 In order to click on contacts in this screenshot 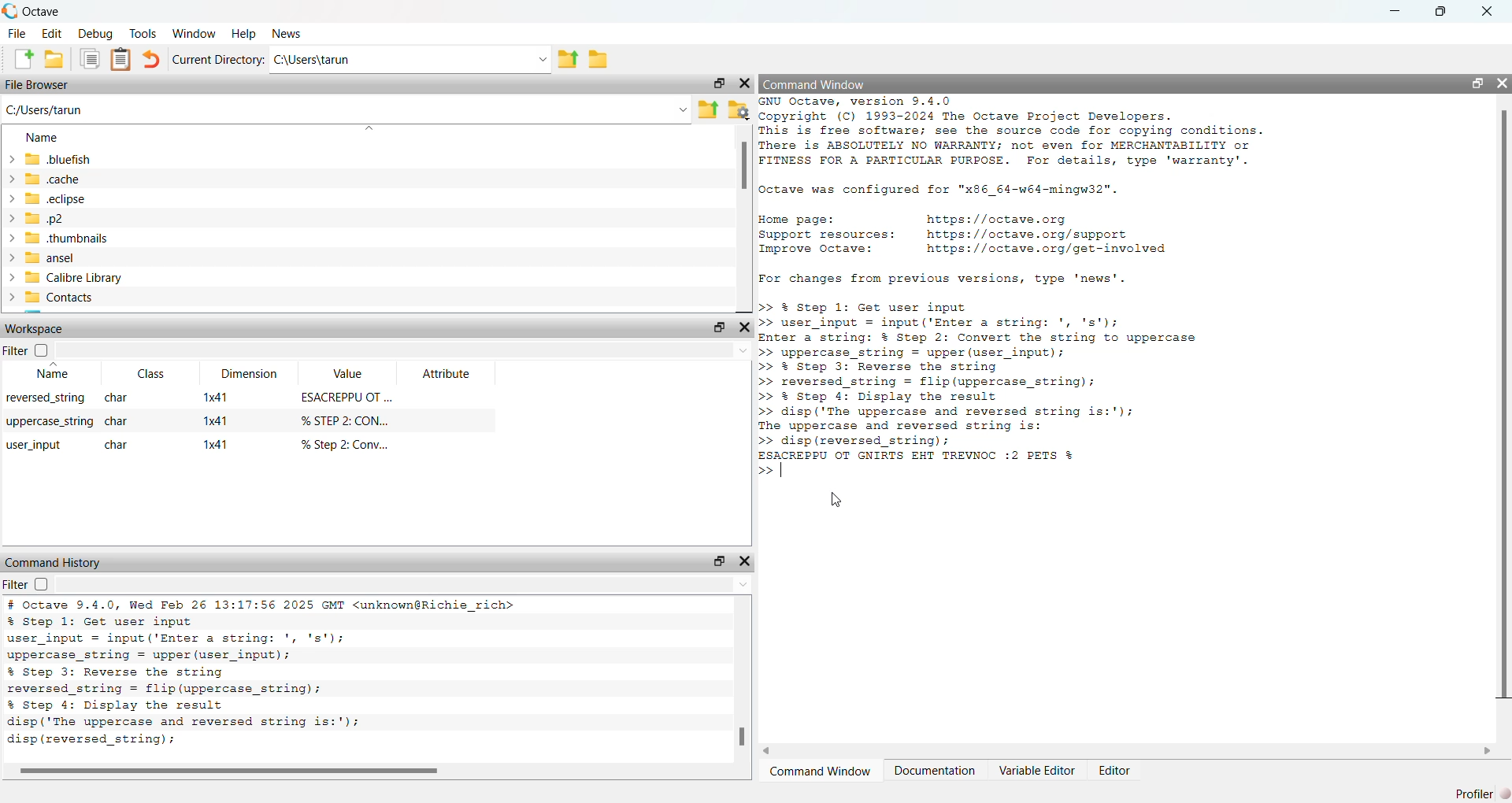, I will do `click(69, 299)`.